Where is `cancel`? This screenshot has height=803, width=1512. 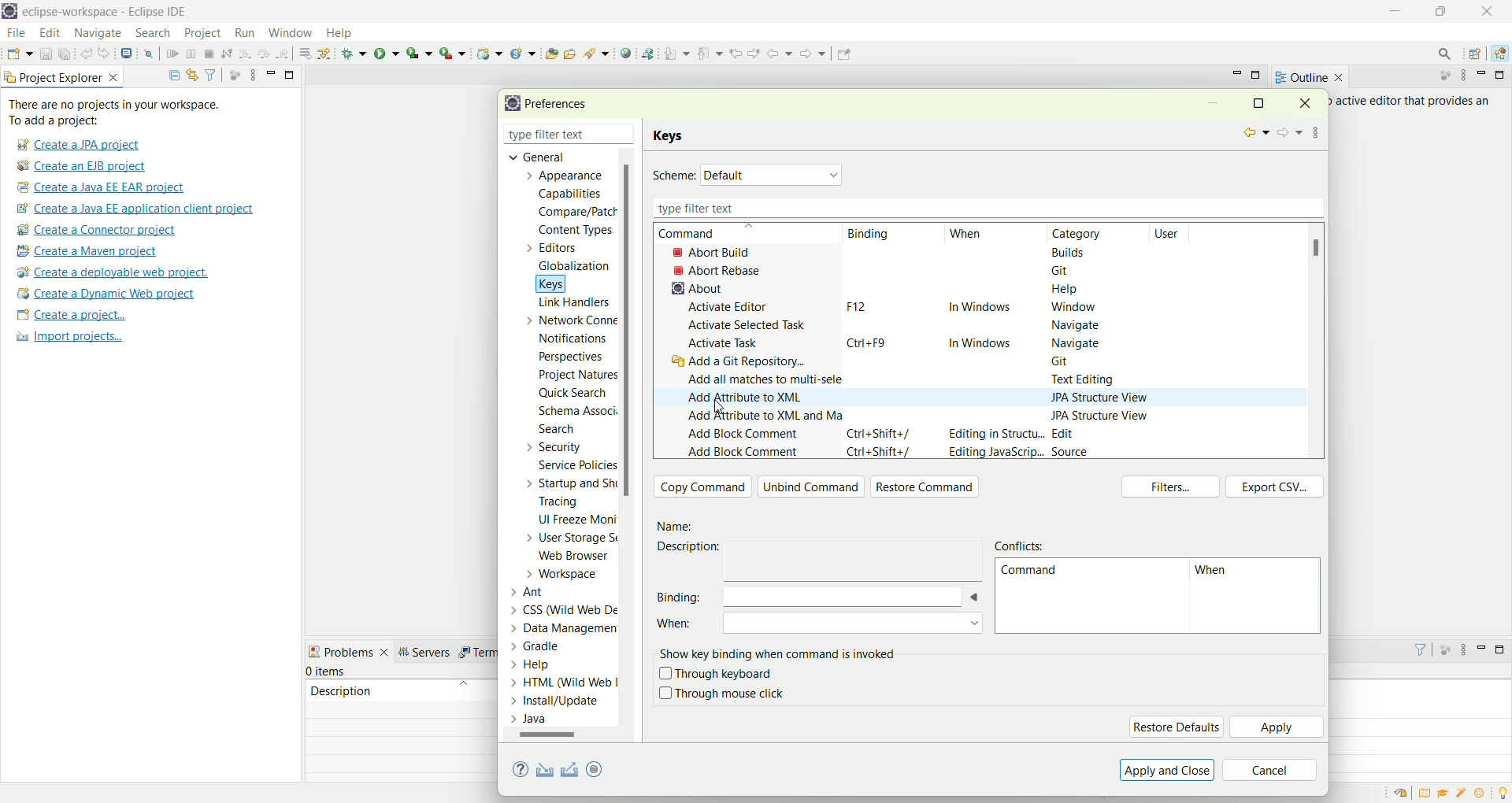 cancel is located at coordinates (1270, 772).